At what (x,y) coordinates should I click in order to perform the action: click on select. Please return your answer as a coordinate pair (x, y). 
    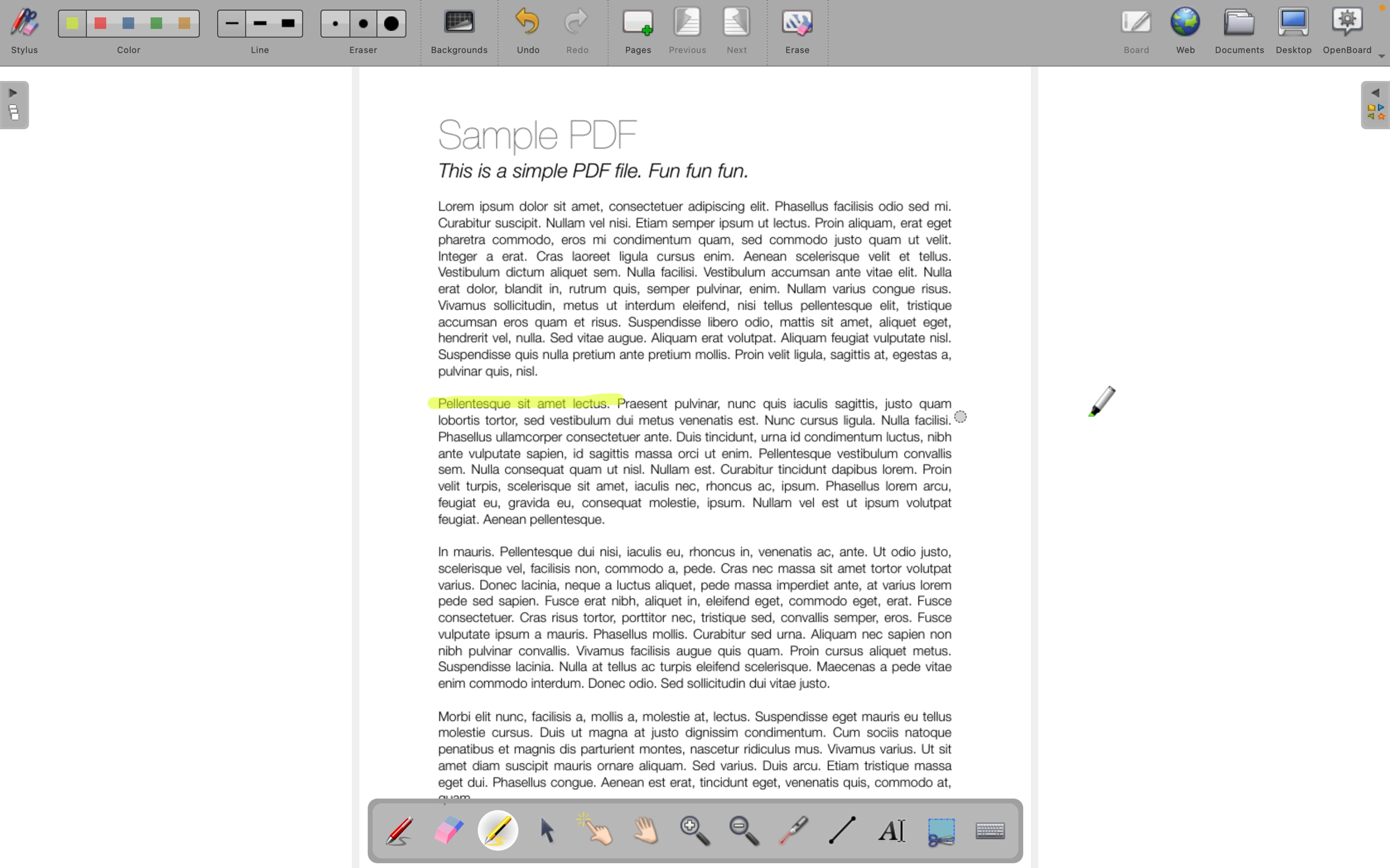
    Looking at the image, I should click on (550, 831).